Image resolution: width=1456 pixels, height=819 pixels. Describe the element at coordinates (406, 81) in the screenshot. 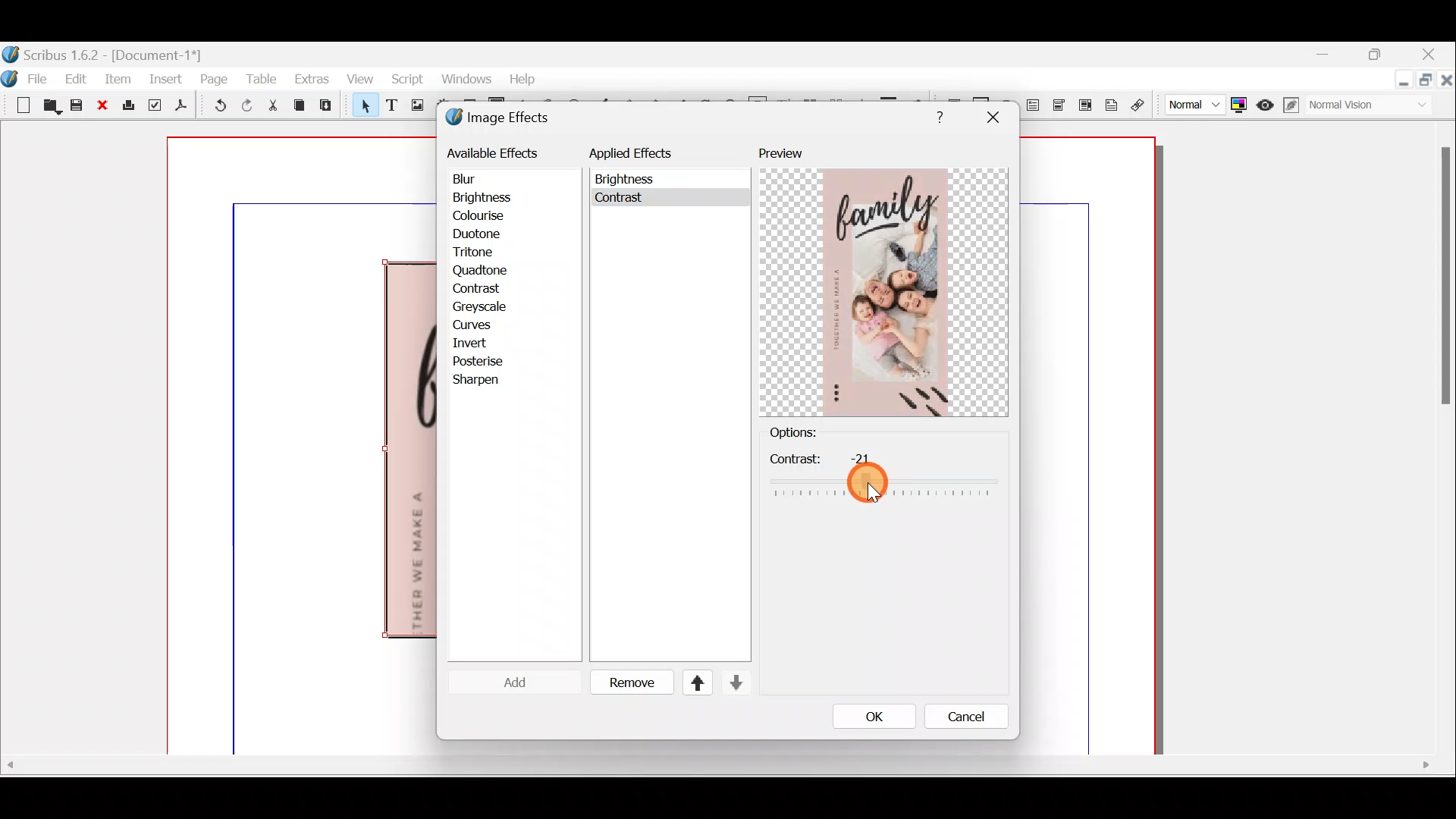

I see `Script` at that location.